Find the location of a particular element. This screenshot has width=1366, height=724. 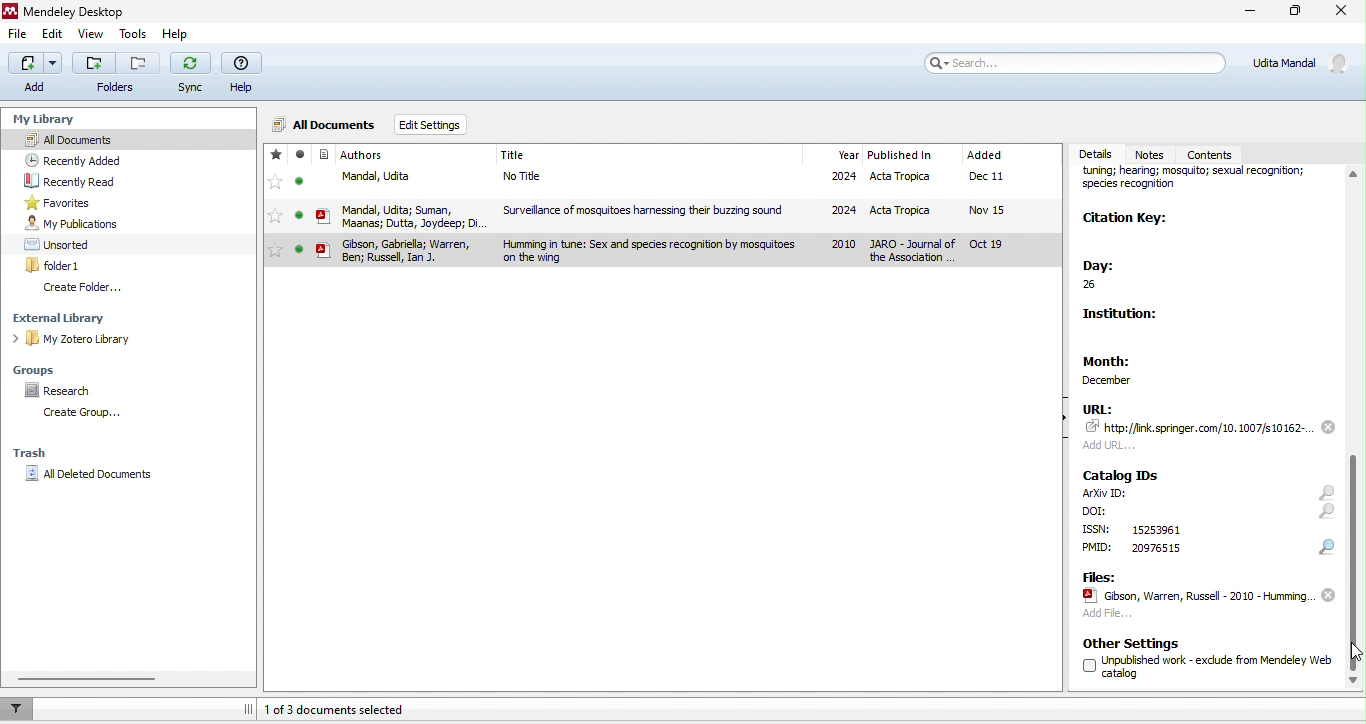

close is located at coordinates (1340, 14).